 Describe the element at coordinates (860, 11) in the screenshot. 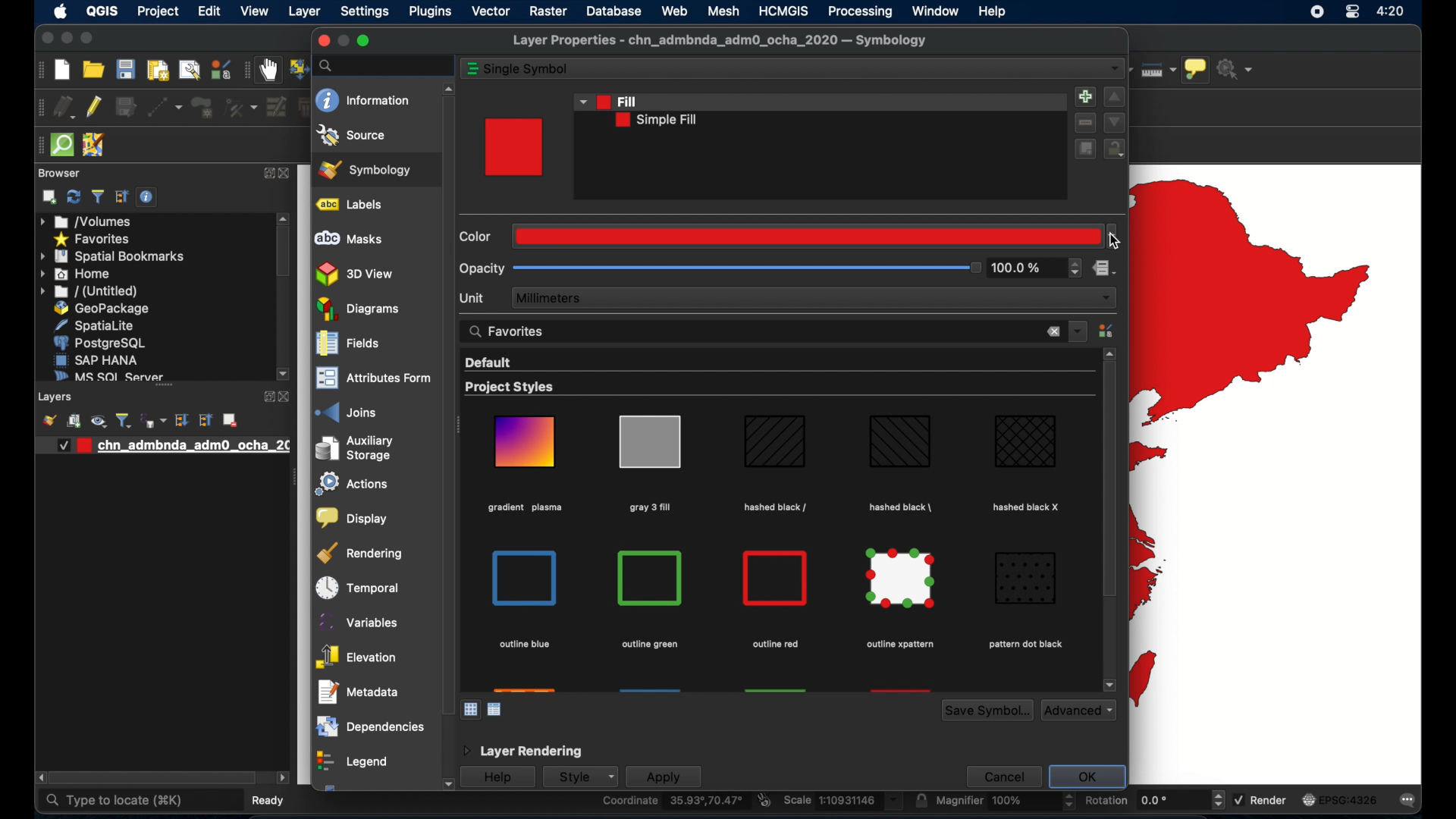

I see `processing` at that location.